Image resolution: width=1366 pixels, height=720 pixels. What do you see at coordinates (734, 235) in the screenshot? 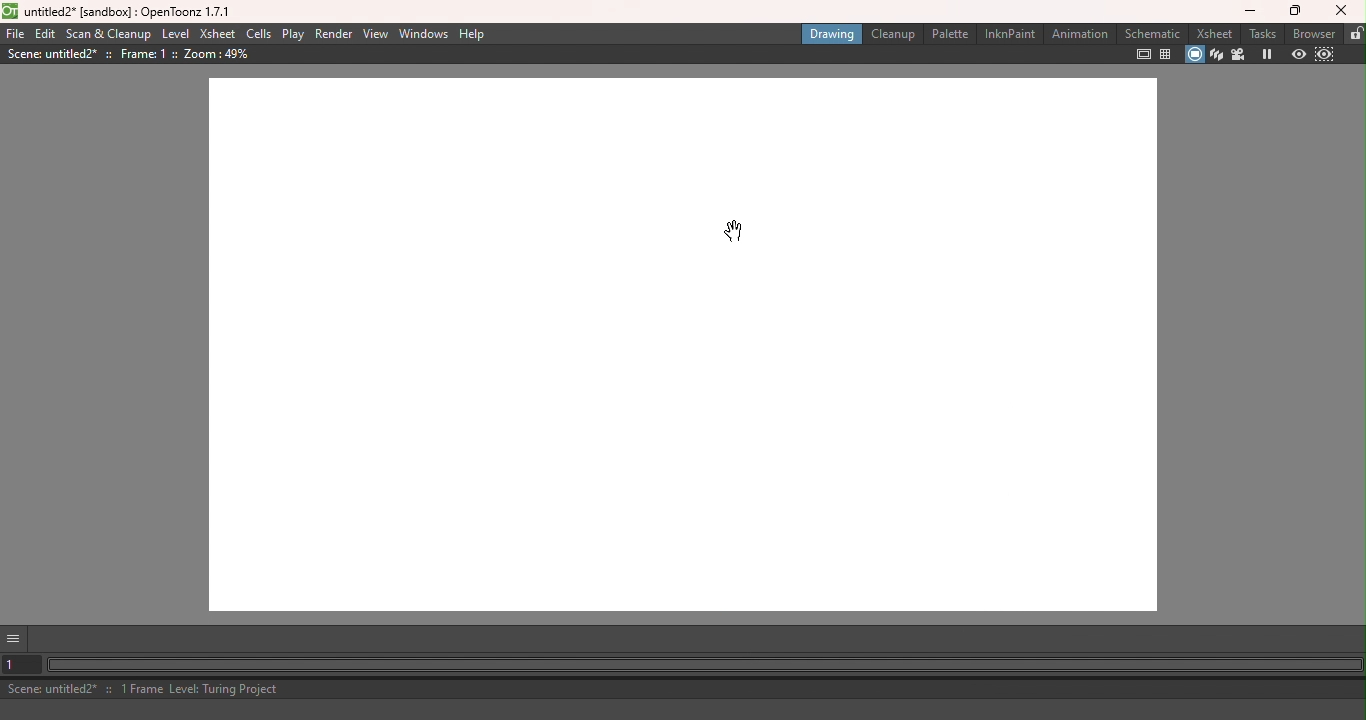
I see `Cursor` at bounding box center [734, 235].